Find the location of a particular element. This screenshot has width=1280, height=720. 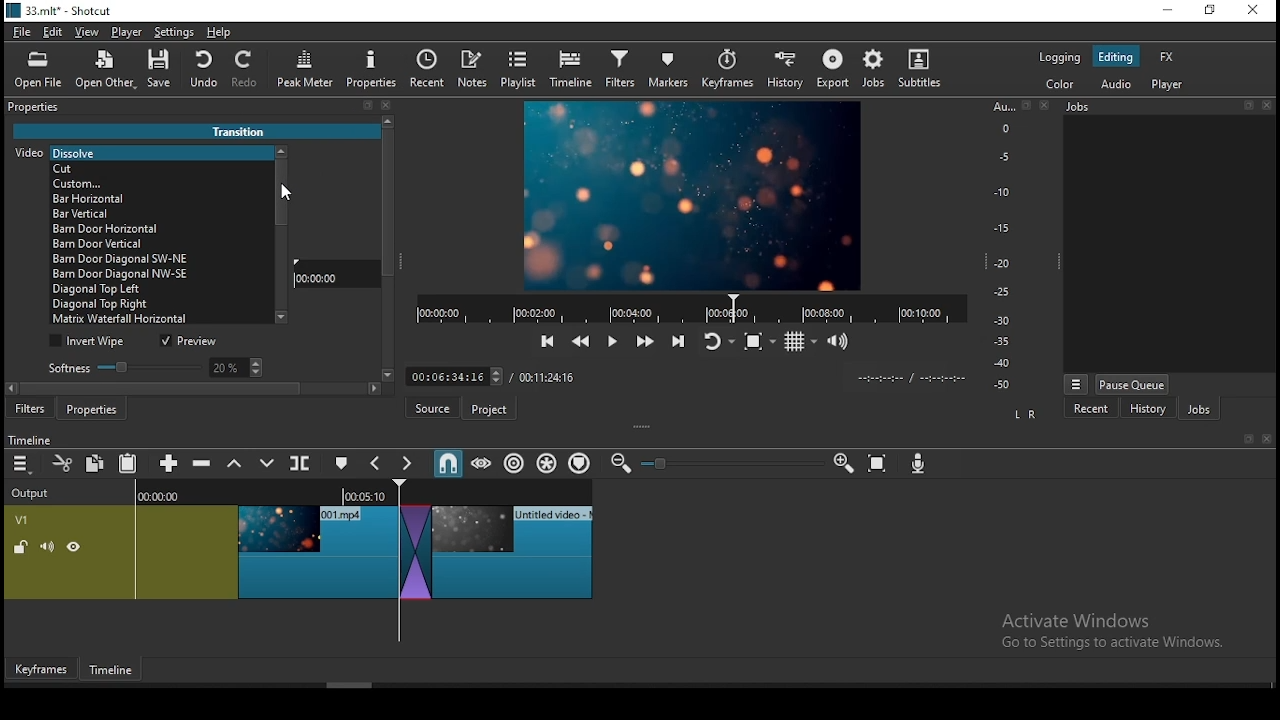

snap is located at coordinates (447, 463).